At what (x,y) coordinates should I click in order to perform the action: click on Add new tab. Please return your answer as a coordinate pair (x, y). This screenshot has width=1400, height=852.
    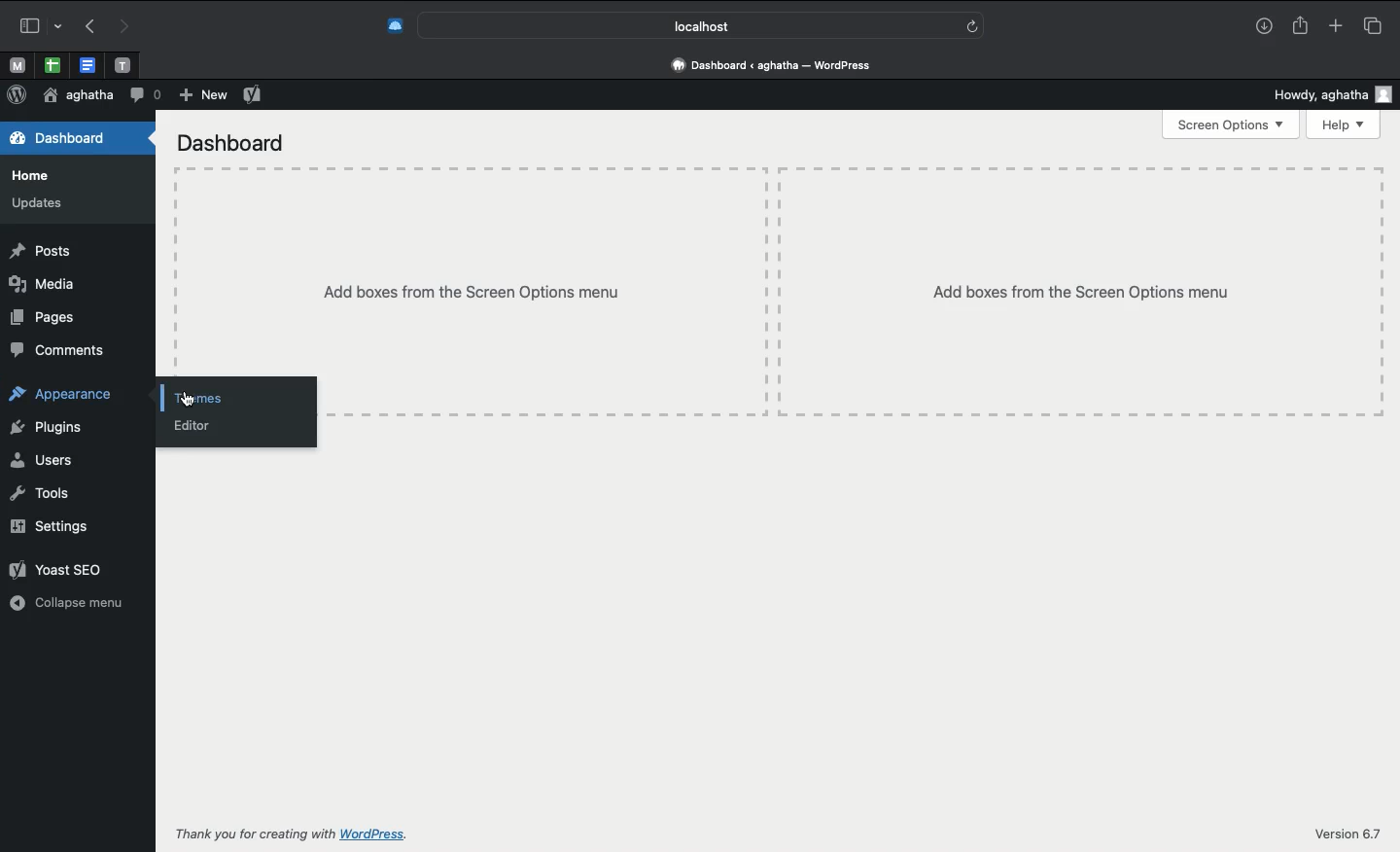
    Looking at the image, I should click on (1335, 22).